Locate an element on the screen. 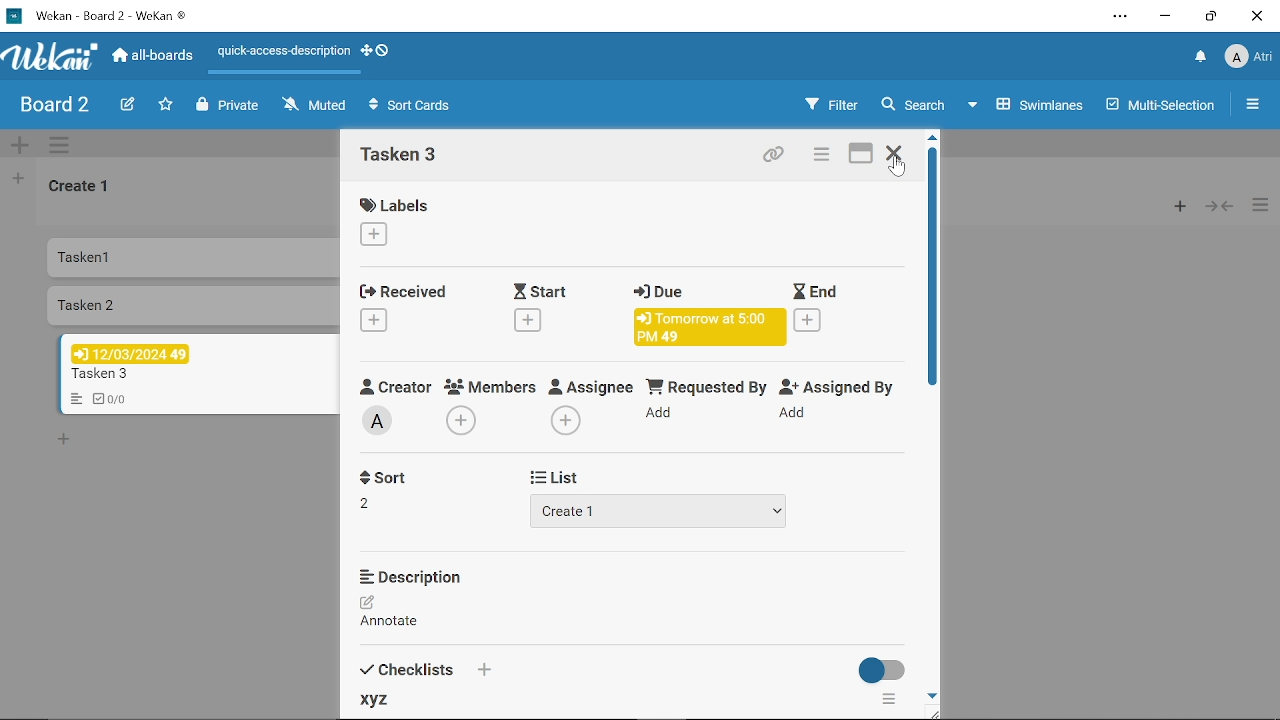 Image resolution: width=1280 pixels, height=720 pixels. Close  is located at coordinates (892, 151).